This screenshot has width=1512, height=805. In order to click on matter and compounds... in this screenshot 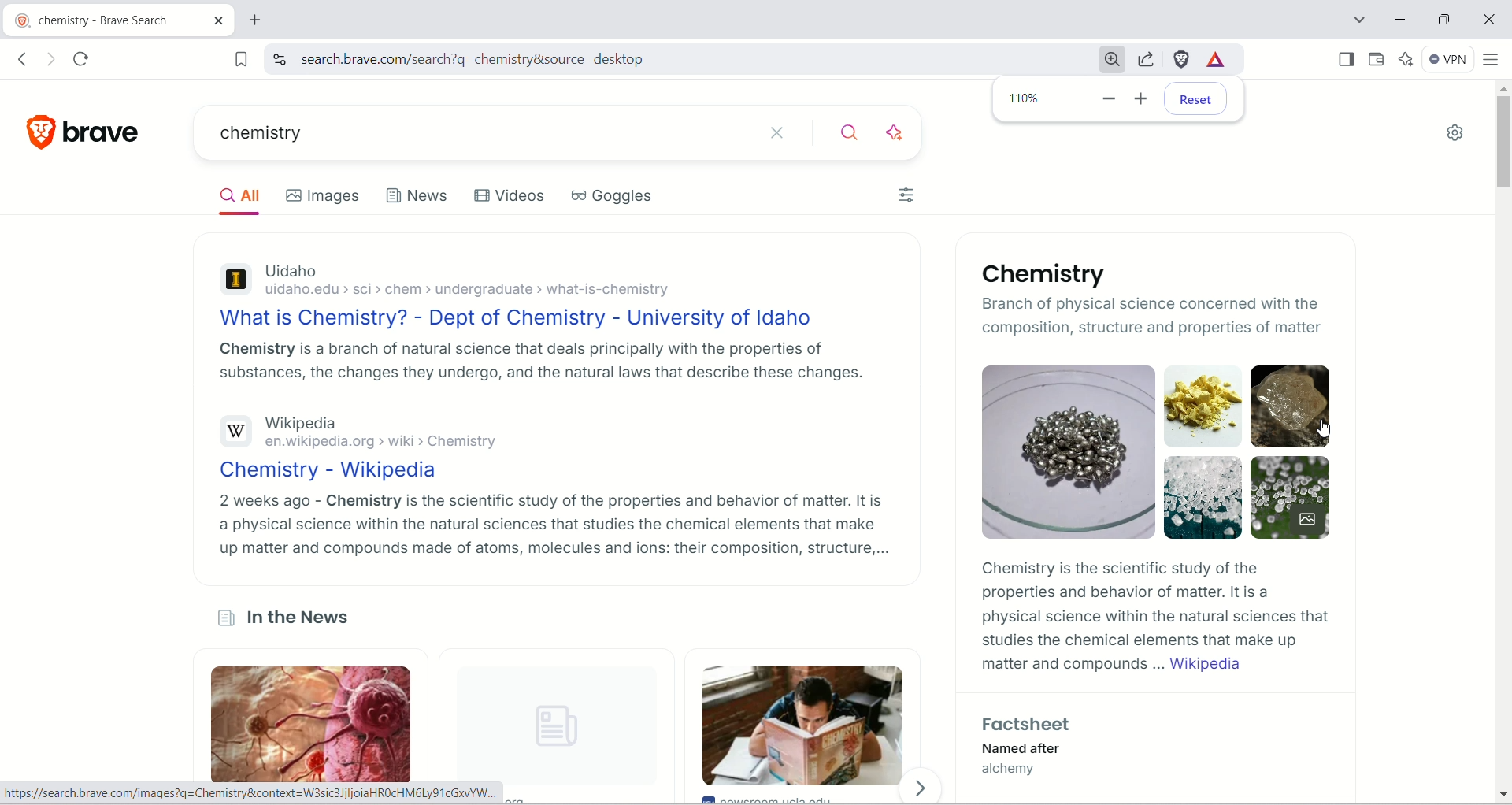, I will do `click(1070, 663)`.